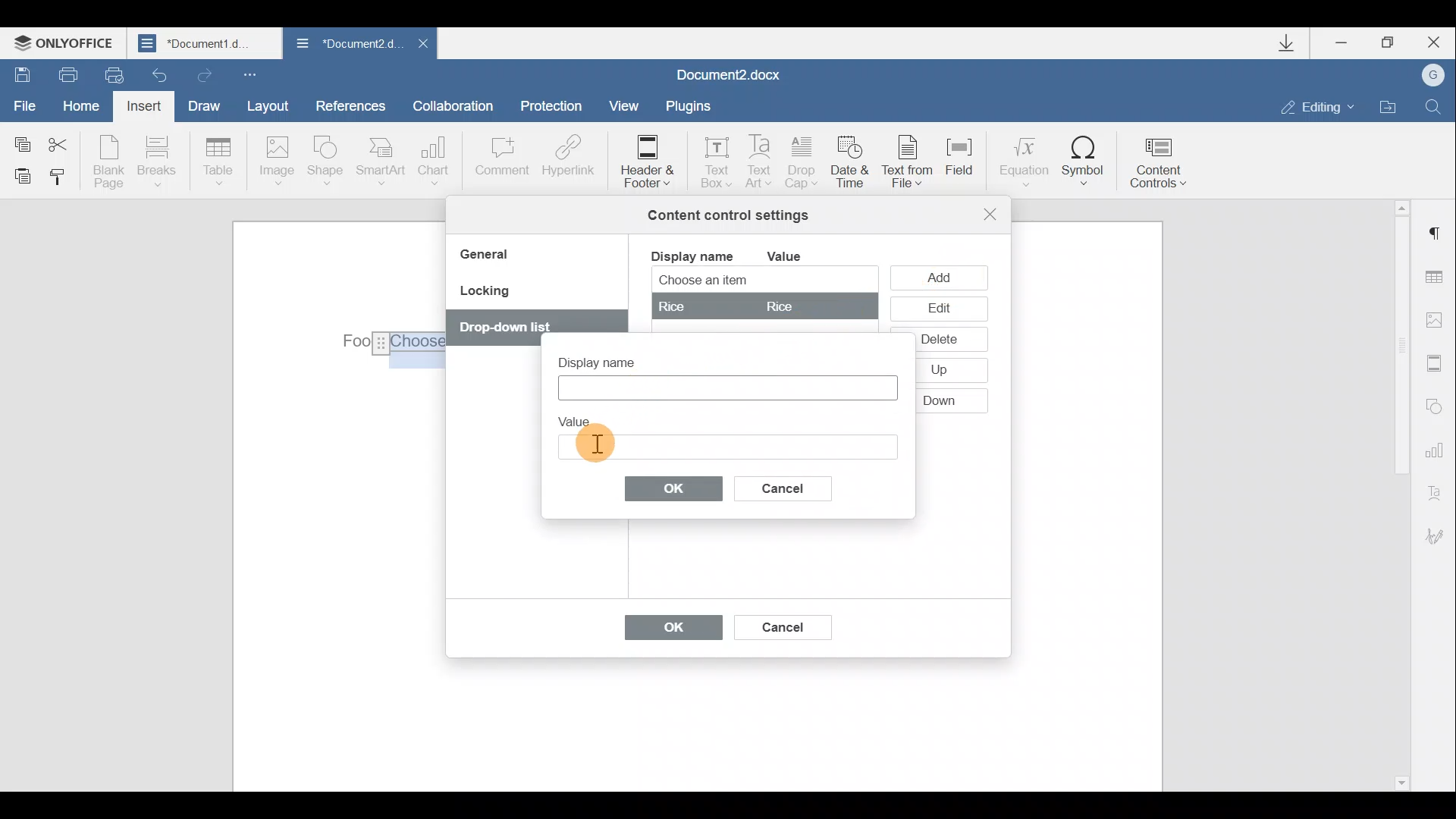  Describe the element at coordinates (347, 46) in the screenshot. I see `Document2 d..` at that location.